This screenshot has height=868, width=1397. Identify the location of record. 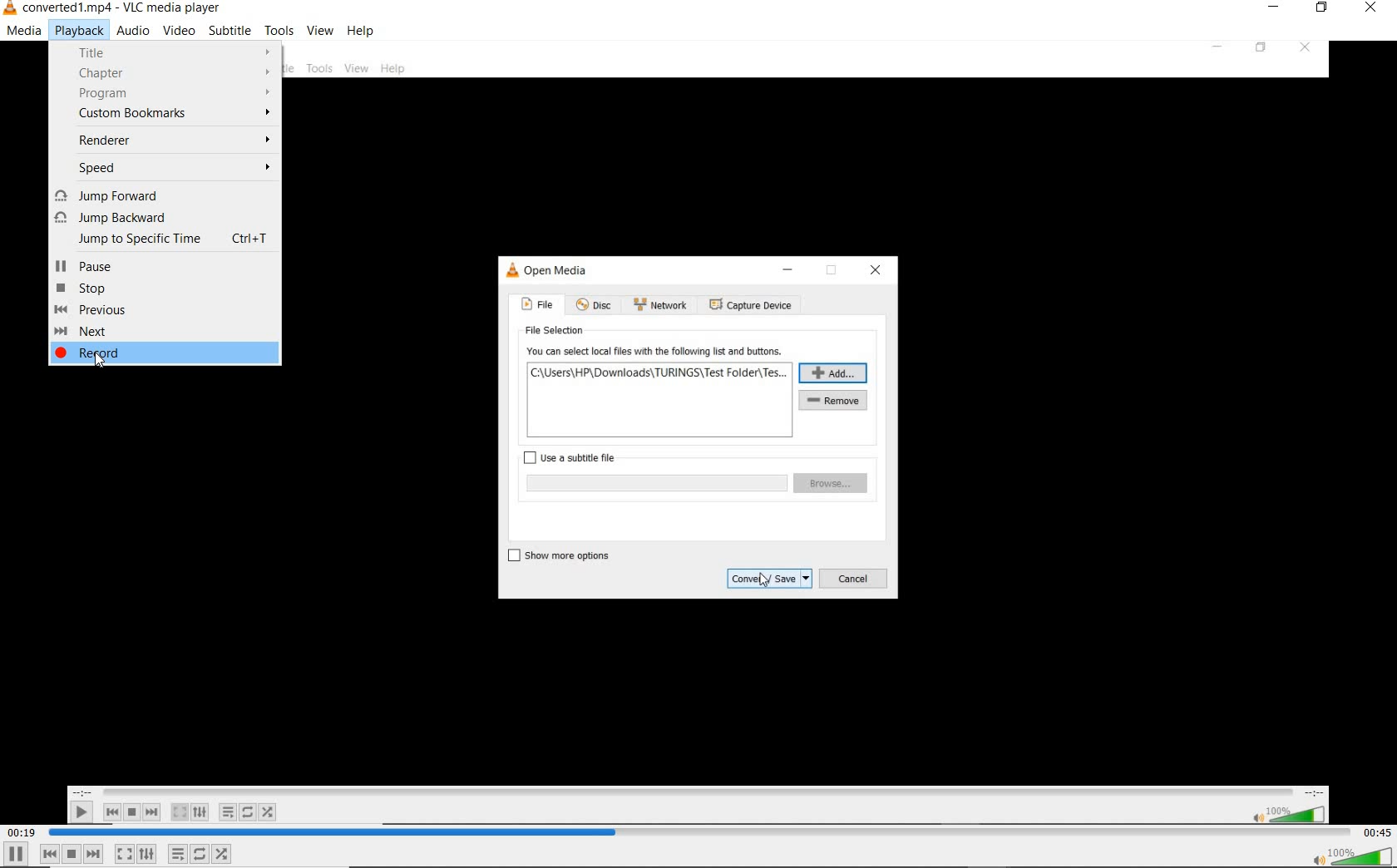
(93, 353).